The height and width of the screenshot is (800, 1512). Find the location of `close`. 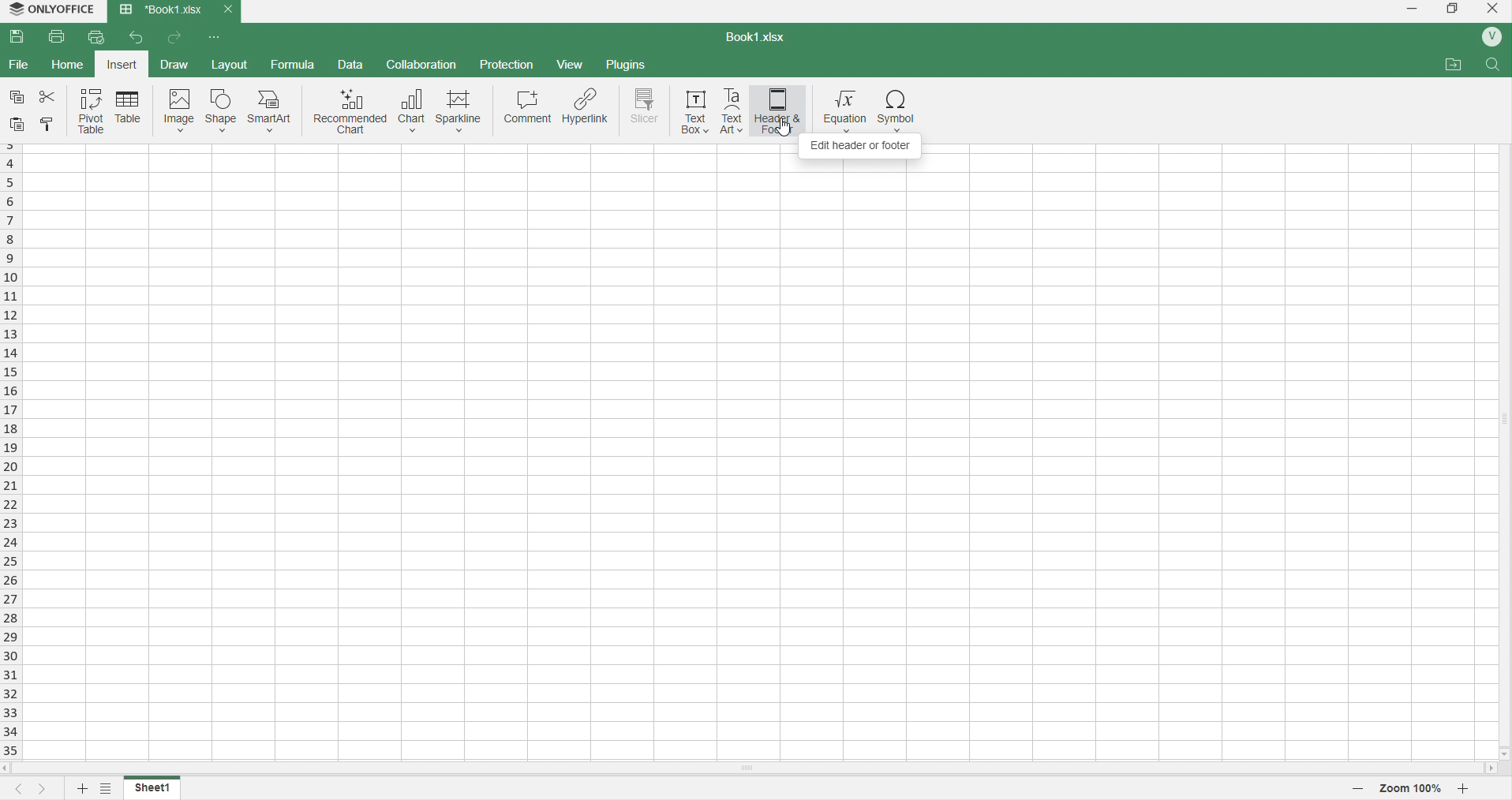

close is located at coordinates (1491, 11).